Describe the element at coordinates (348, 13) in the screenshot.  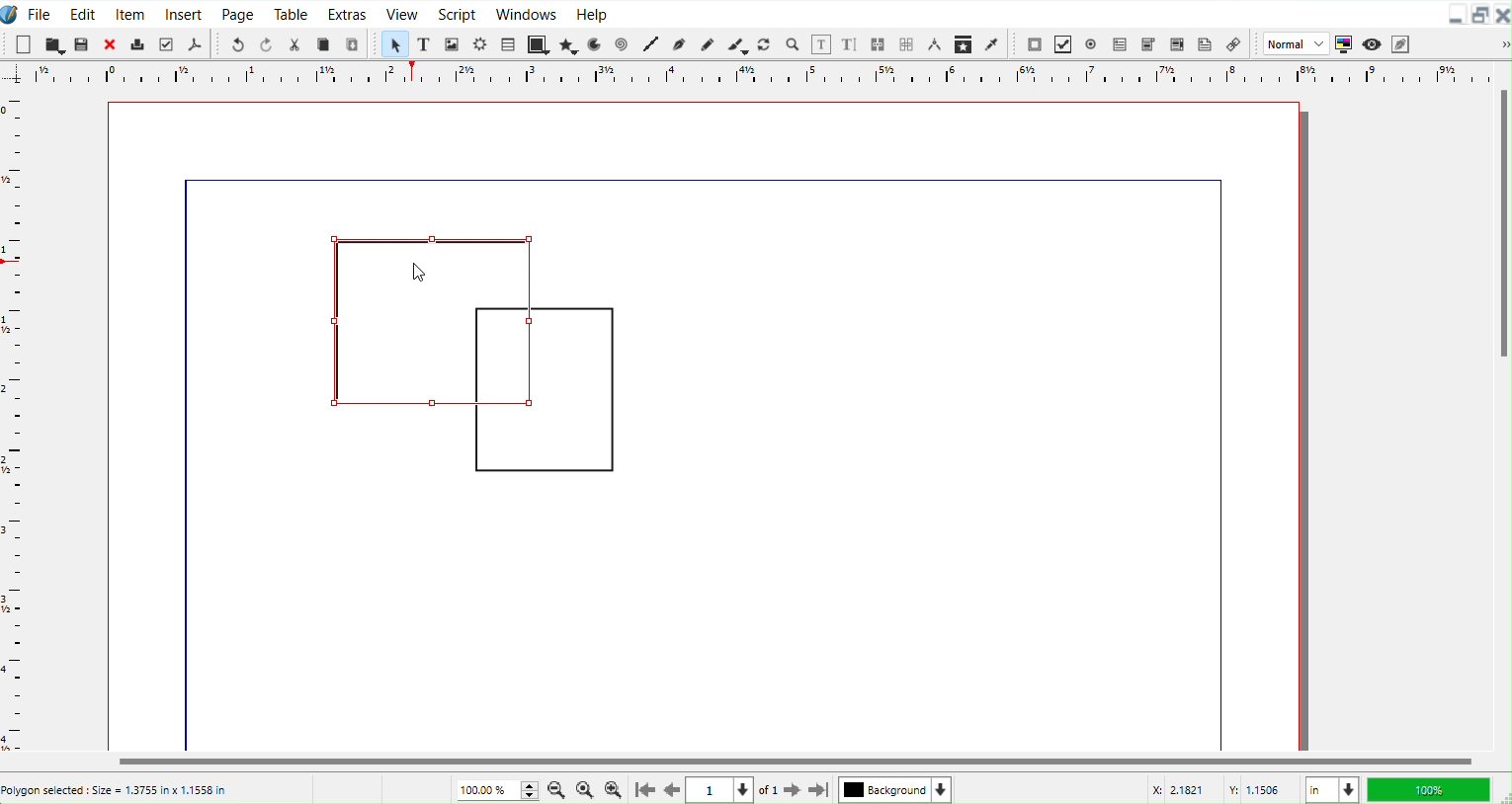
I see `Extras` at that location.